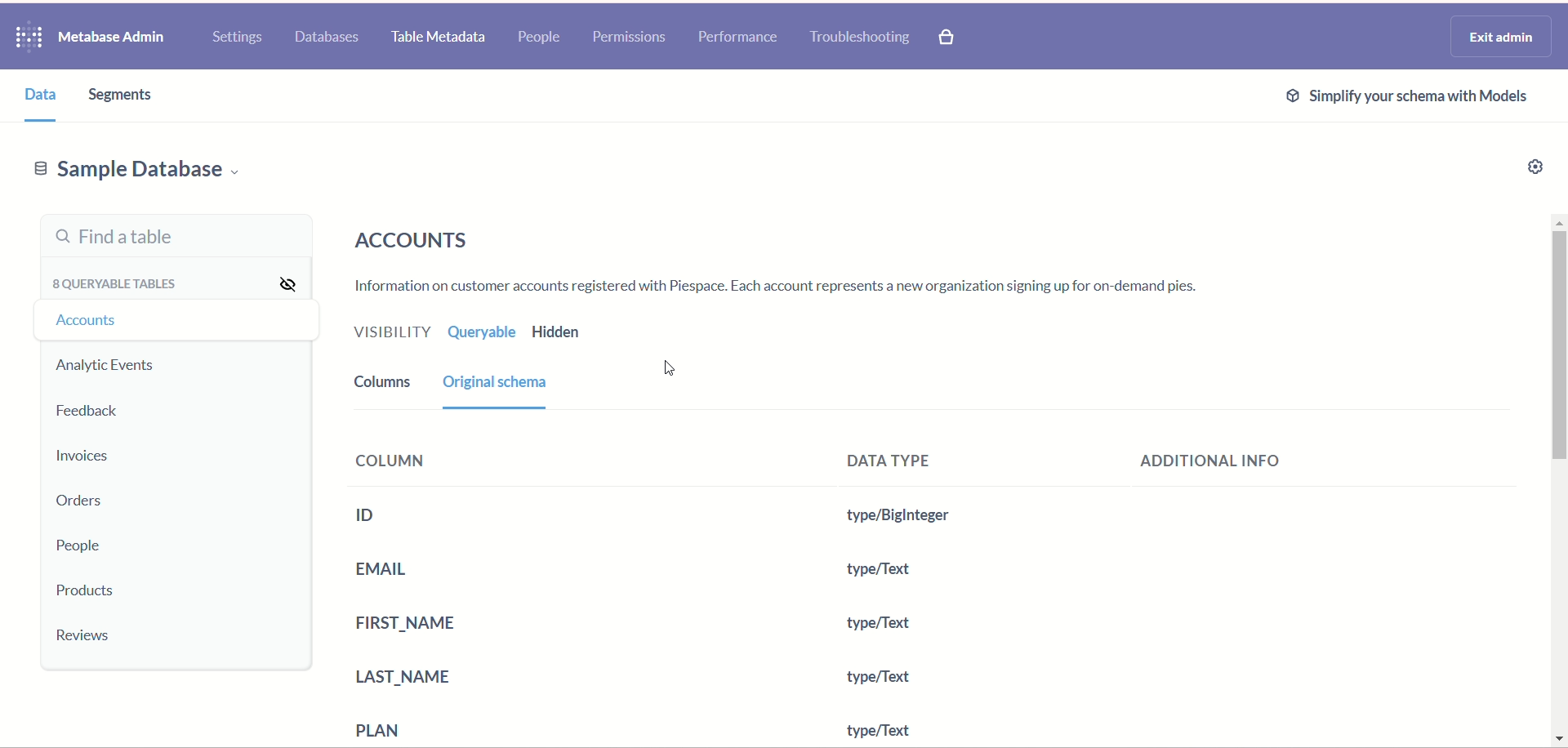 The image size is (1568, 748). What do you see at coordinates (486, 333) in the screenshot?
I see `queryable` at bounding box center [486, 333].